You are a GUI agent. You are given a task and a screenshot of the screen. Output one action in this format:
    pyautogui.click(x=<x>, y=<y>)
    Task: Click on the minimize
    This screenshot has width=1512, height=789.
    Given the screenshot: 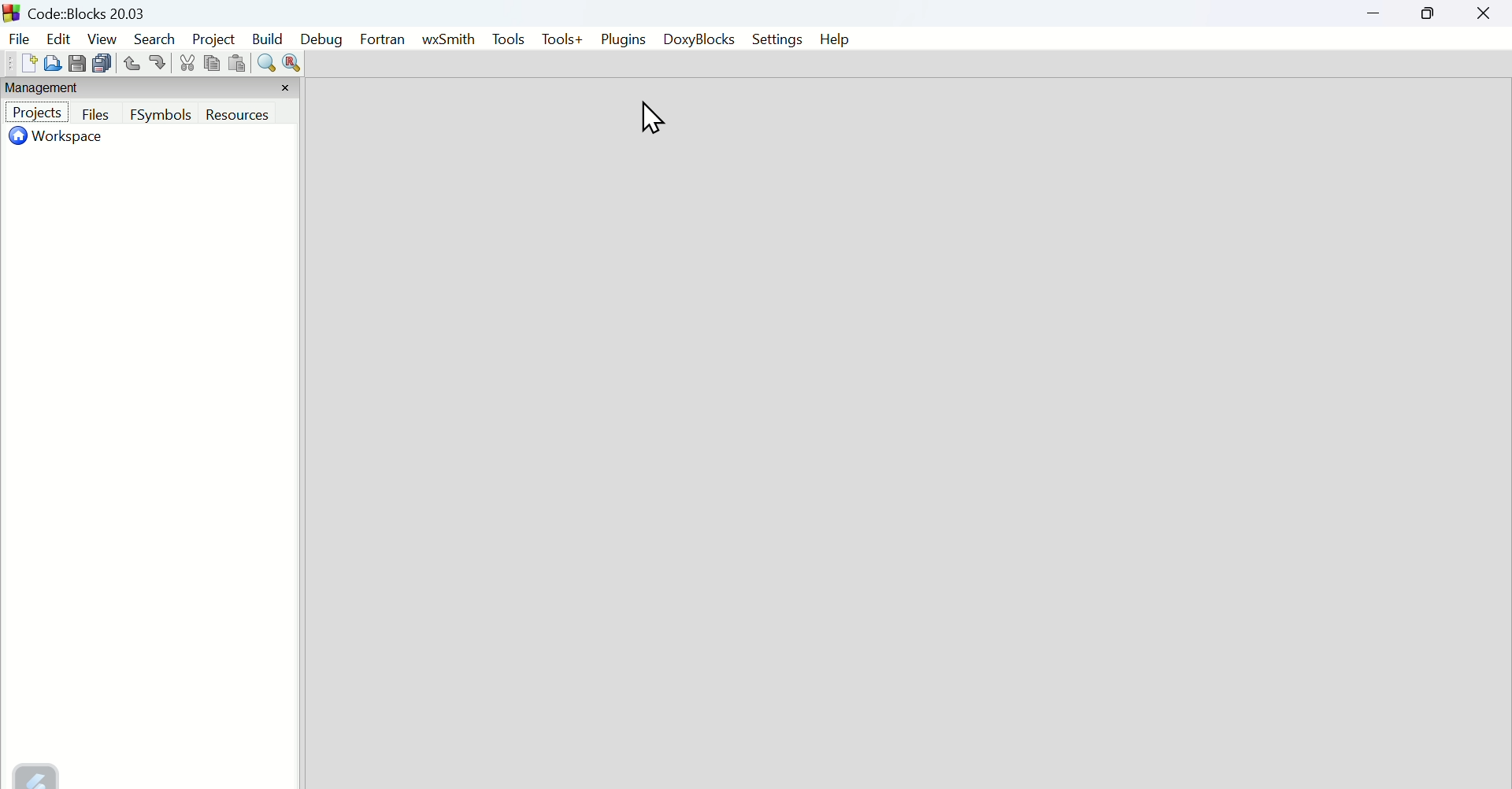 What is the action you would take?
    pyautogui.click(x=1376, y=13)
    